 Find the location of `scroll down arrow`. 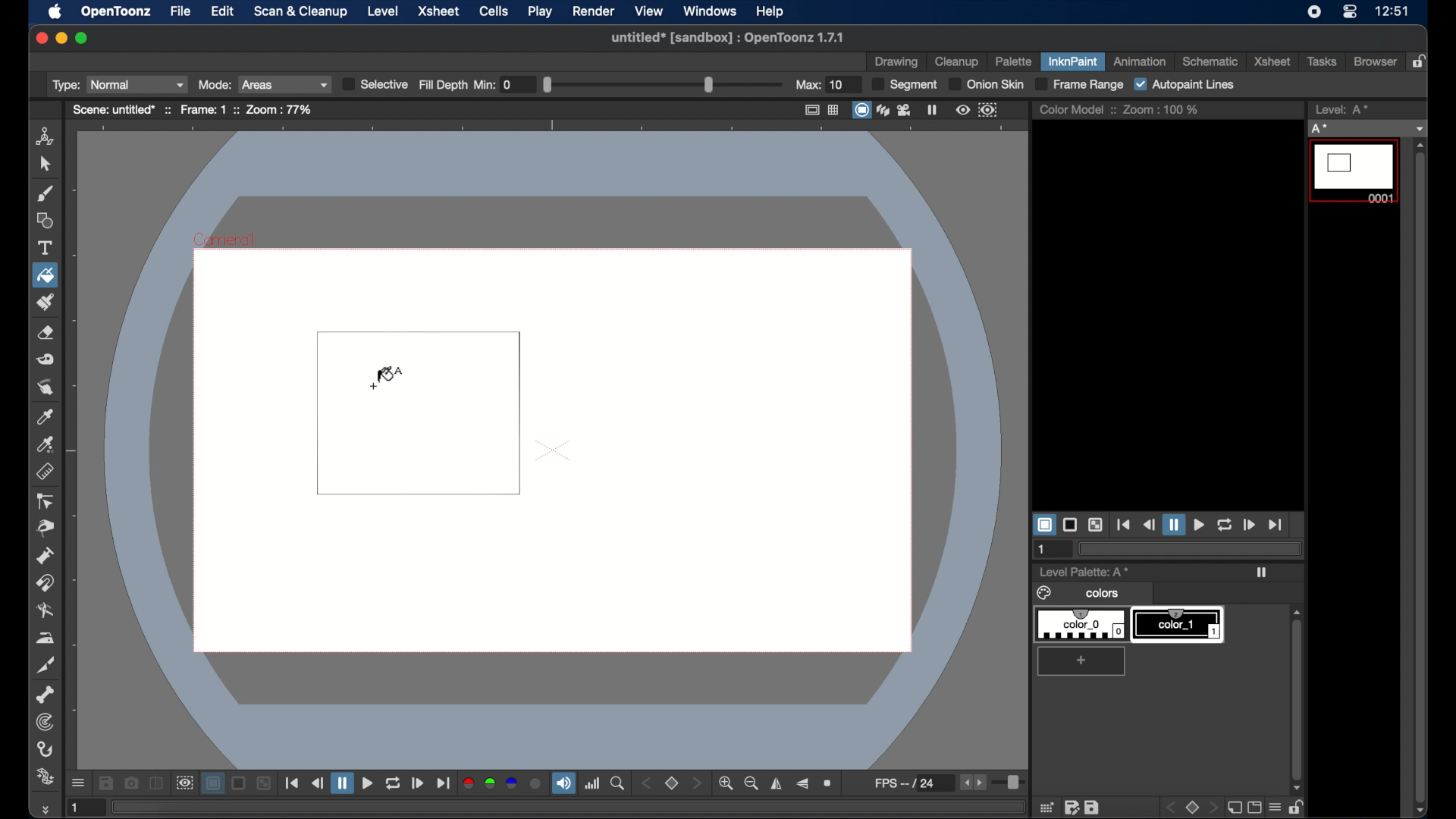

scroll down arrow is located at coordinates (1425, 811).